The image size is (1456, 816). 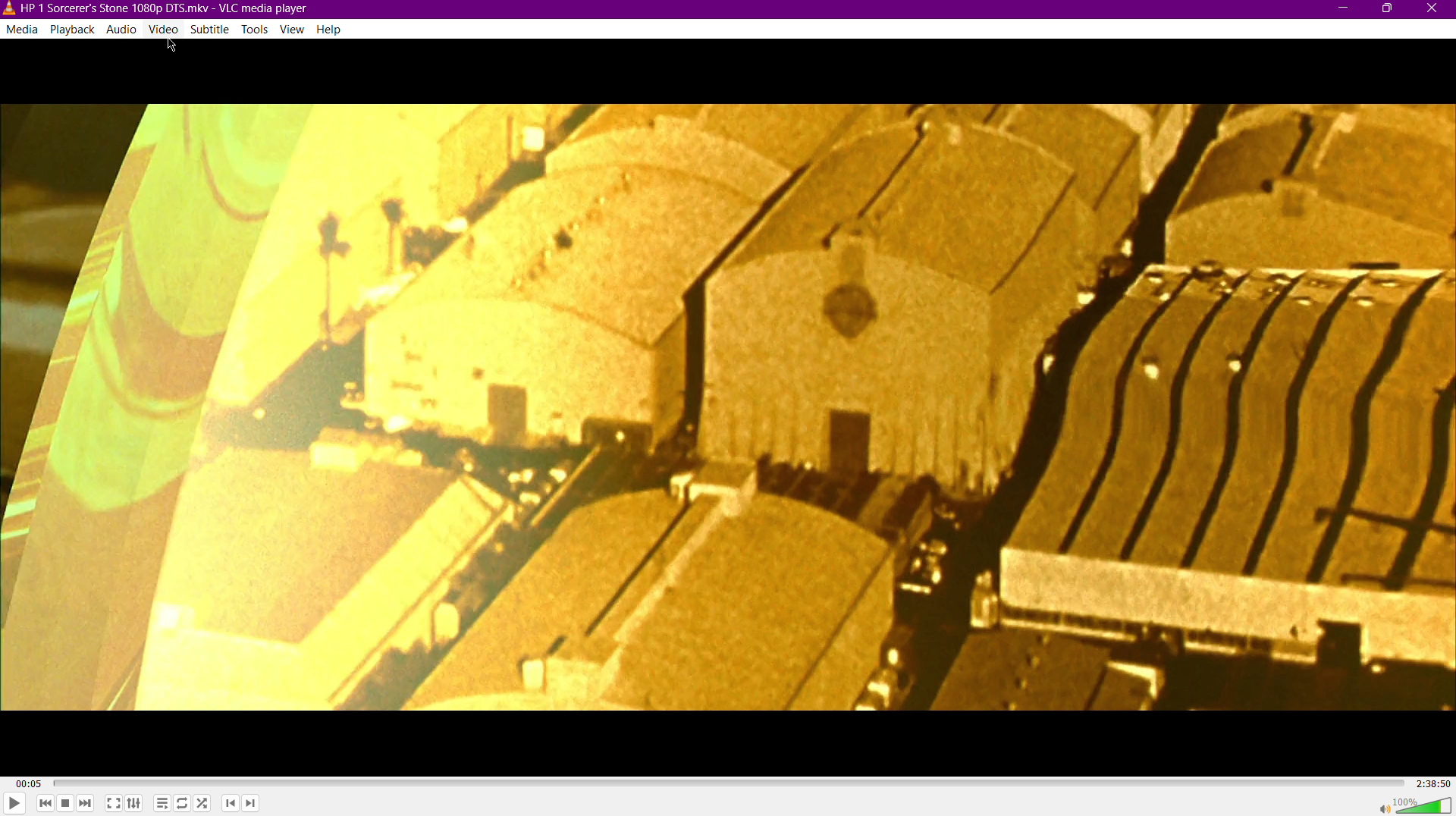 I want to click on Help, so click(x=330, y=29).